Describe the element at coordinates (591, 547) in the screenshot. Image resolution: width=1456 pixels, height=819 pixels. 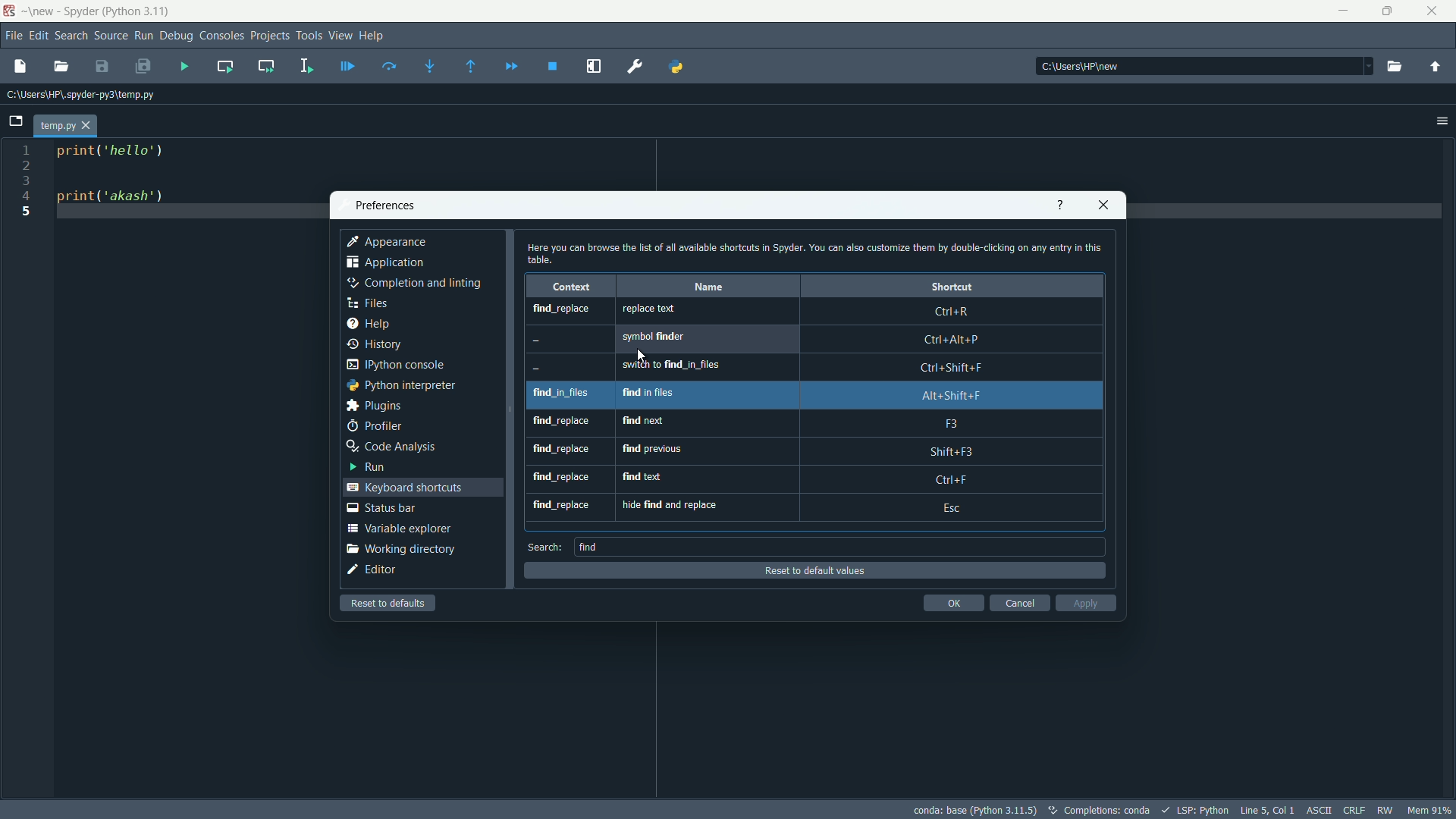
I see `find` at that location.